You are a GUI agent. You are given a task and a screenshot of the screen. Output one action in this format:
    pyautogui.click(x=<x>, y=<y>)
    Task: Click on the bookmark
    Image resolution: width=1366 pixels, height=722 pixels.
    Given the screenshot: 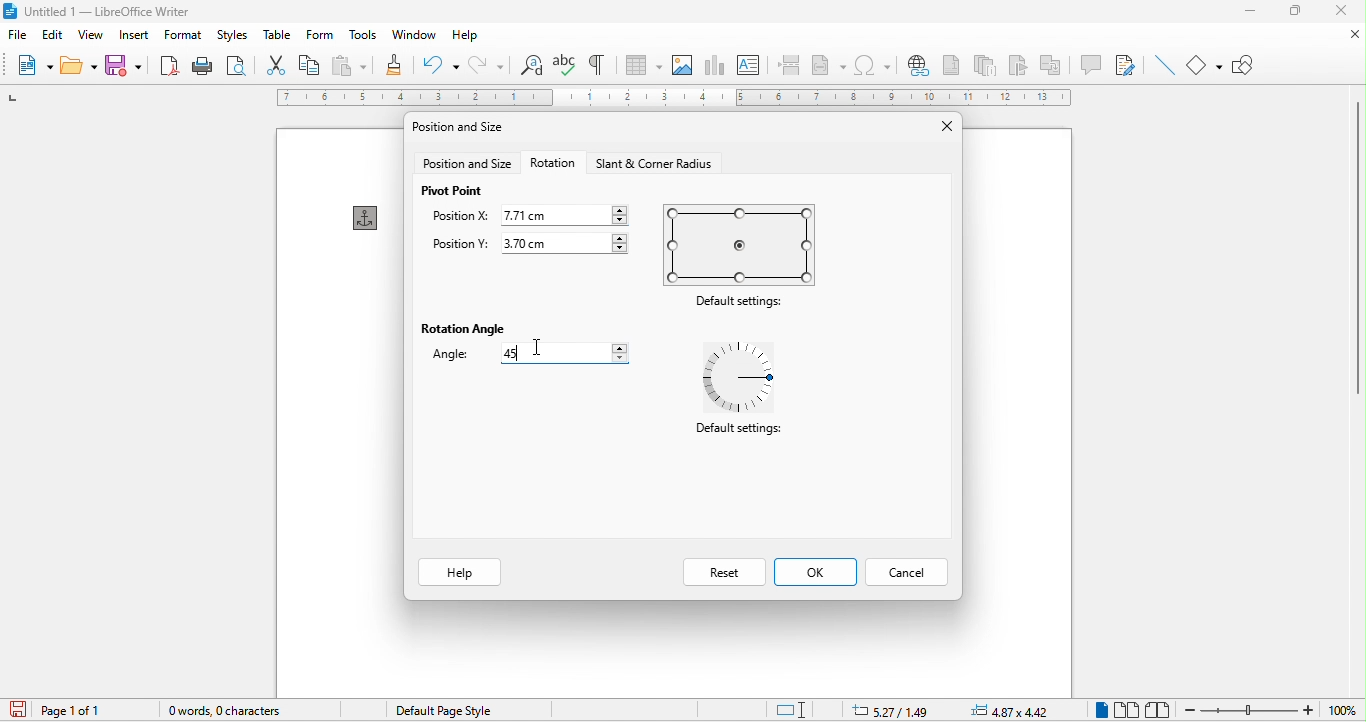 What is the action you would take?
    pyautogui.click(x=1021, y=65)
    